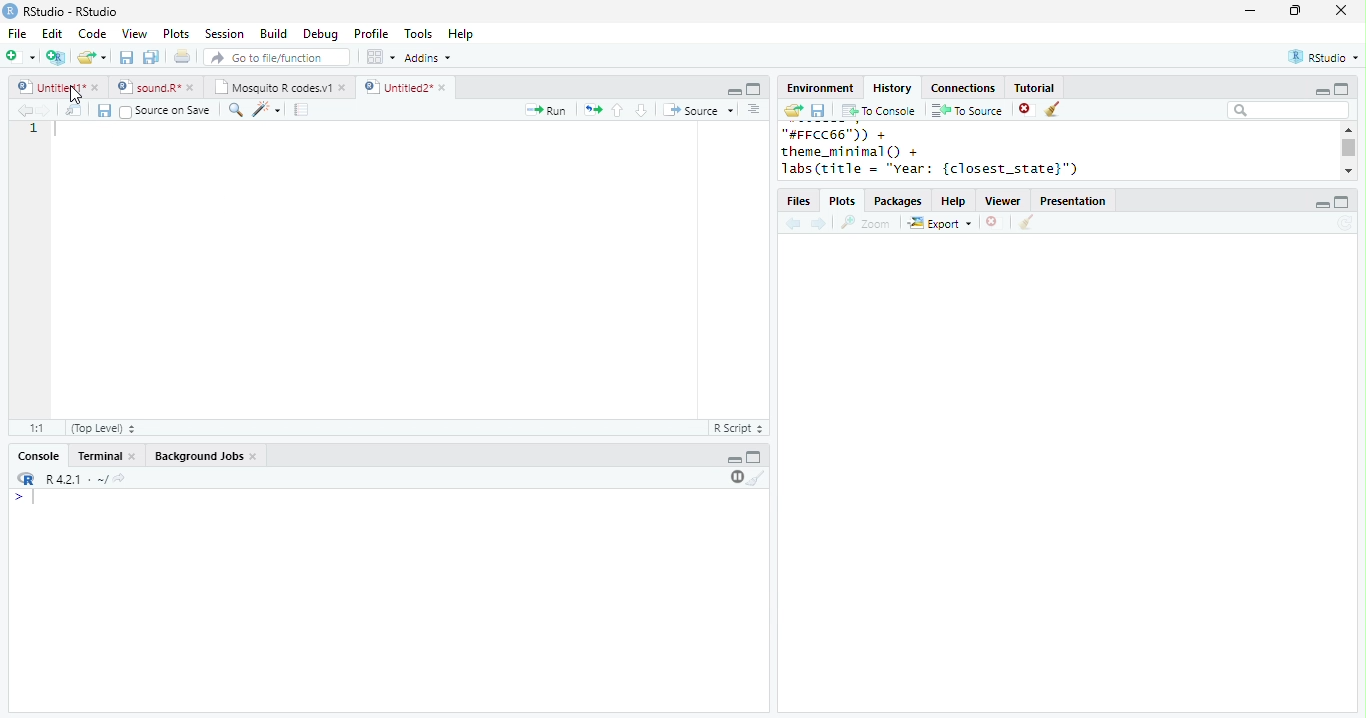  I want to click on help, so click(954, 202).